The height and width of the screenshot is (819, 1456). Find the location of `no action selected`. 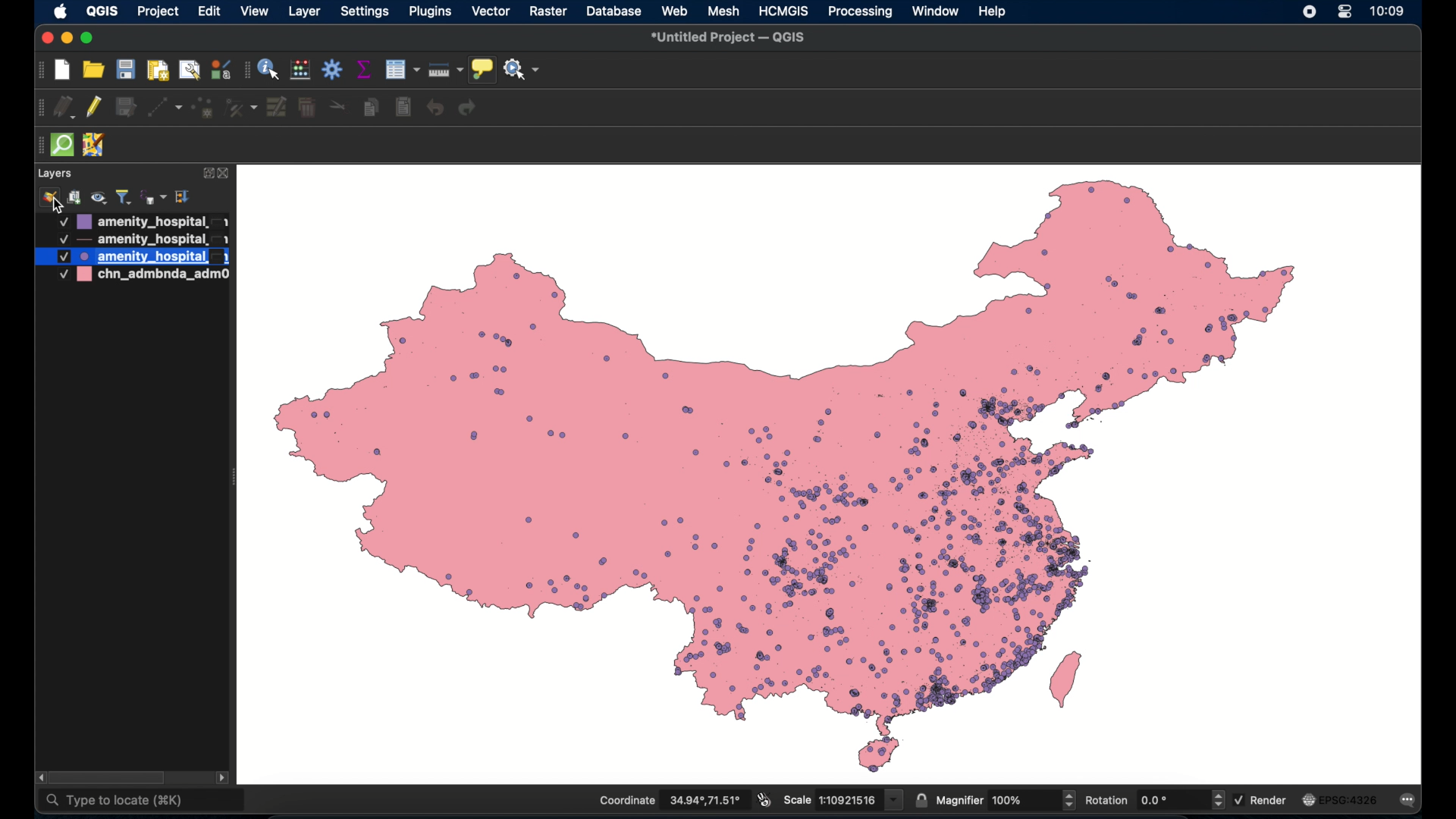

no action selected is located at coordinates (523, 70).